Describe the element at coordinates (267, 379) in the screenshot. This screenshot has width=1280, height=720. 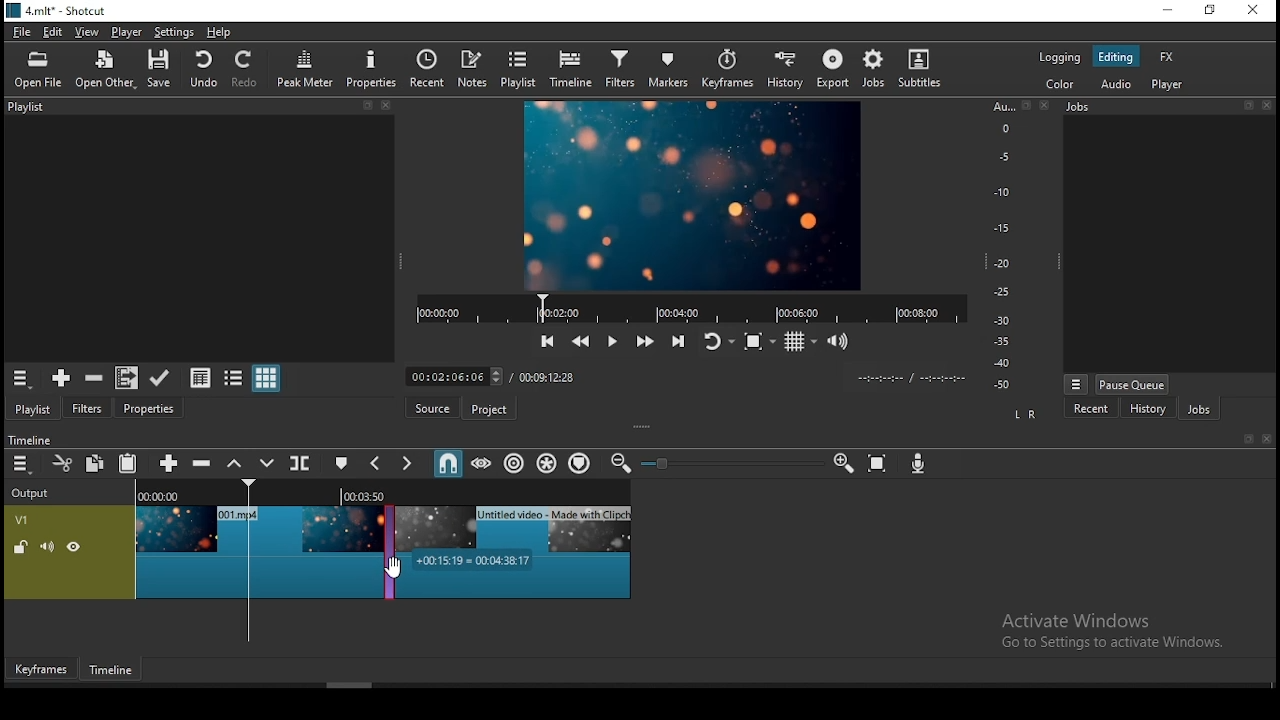
I see `view as icons` at that location.